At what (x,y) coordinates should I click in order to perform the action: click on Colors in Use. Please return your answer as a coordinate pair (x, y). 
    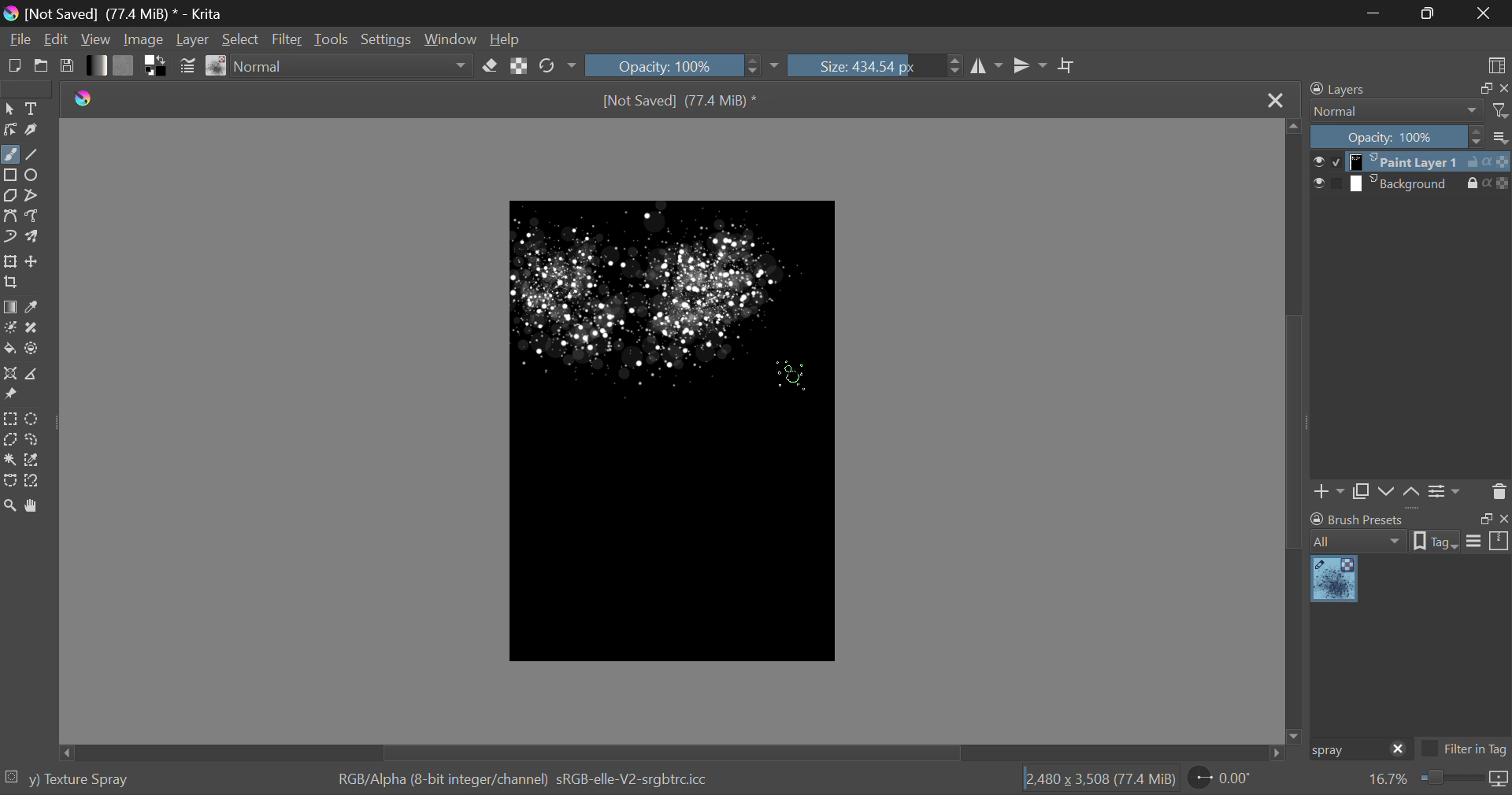
    Looking at the image, I should click on (157, 66).